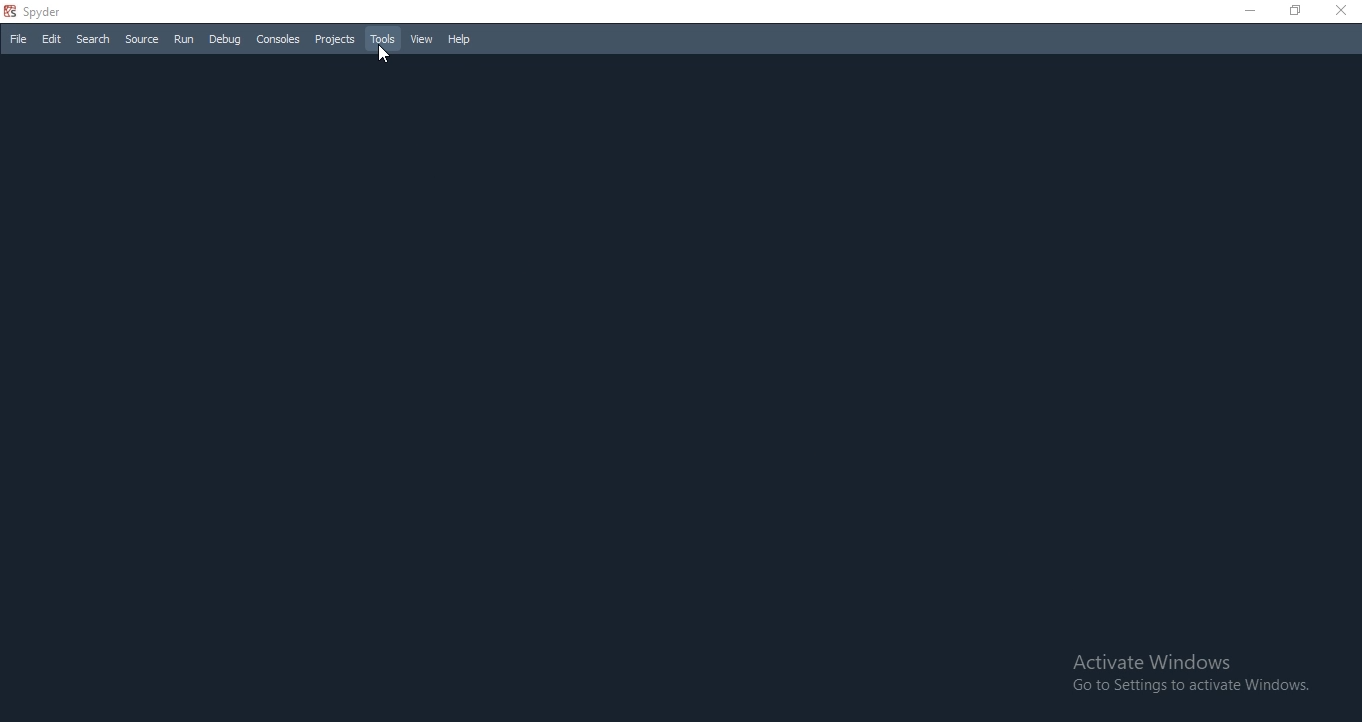 This screenshot has height=722, width=1362. I want to click on logo, so click(9, 11).